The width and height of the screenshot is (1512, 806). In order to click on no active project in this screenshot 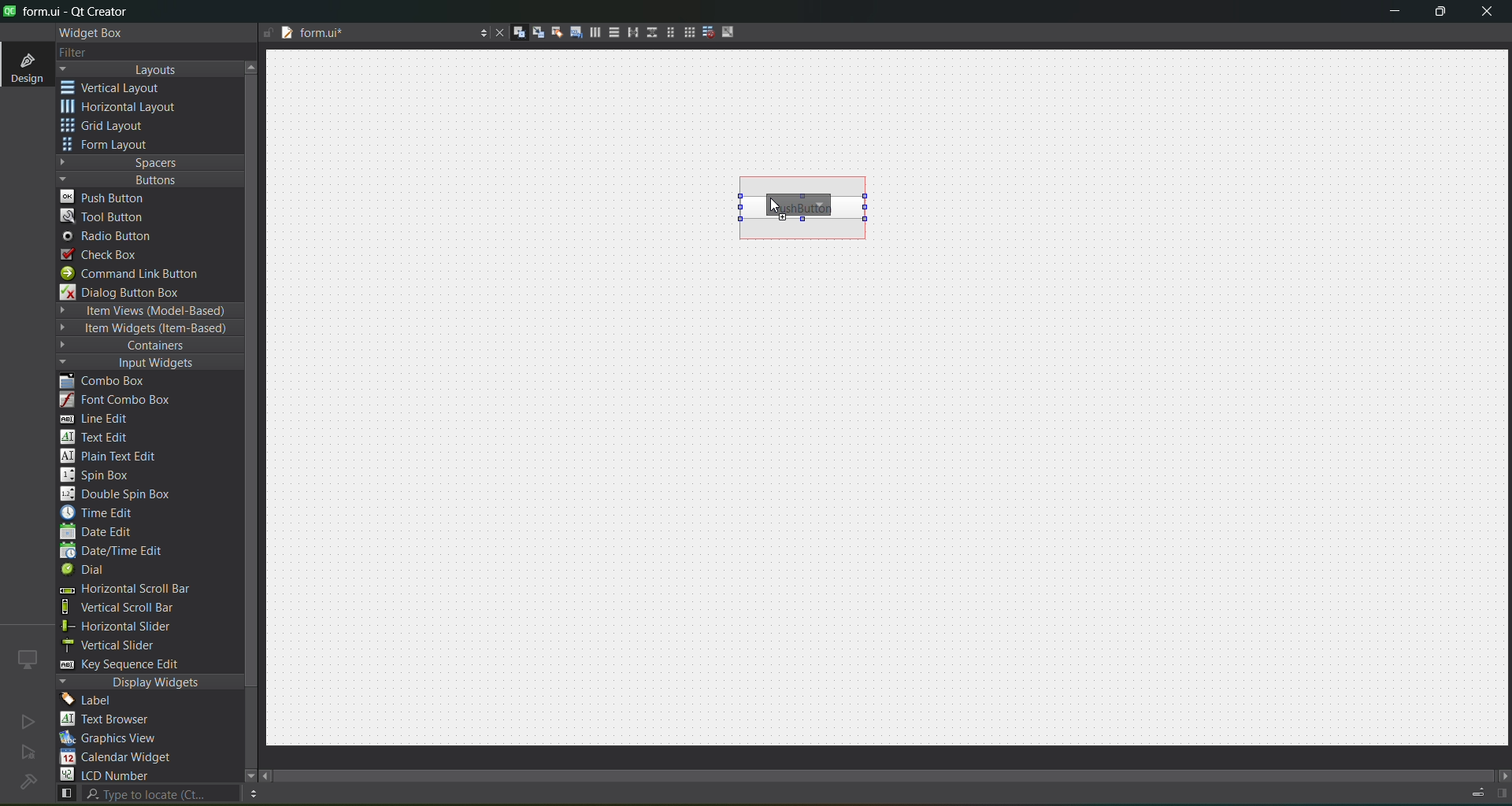, I will do `click(28, 753)`.